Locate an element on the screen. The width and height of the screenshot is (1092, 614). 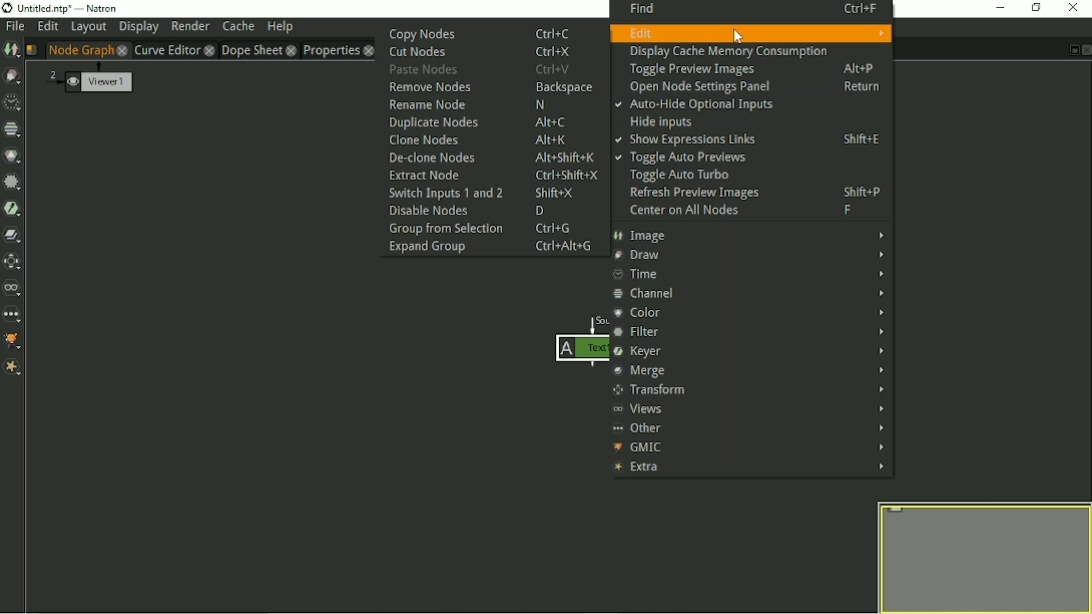
Duplicate Nodes is located at coordinates (485, 122).